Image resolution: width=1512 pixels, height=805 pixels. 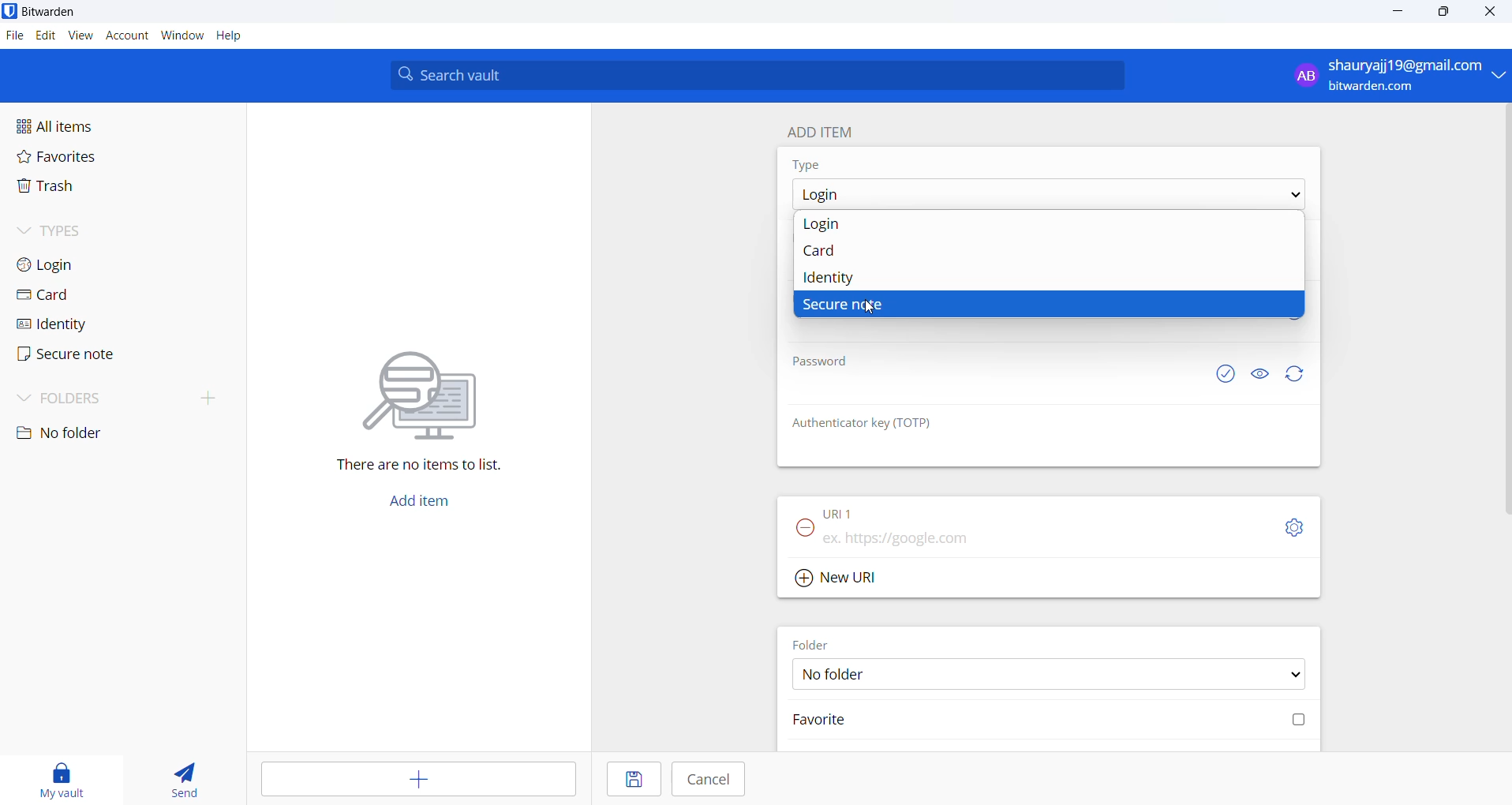 What do you see at coordinates (82, 36) in the screenshot?
I see `view` at bounding box center [82, 36].